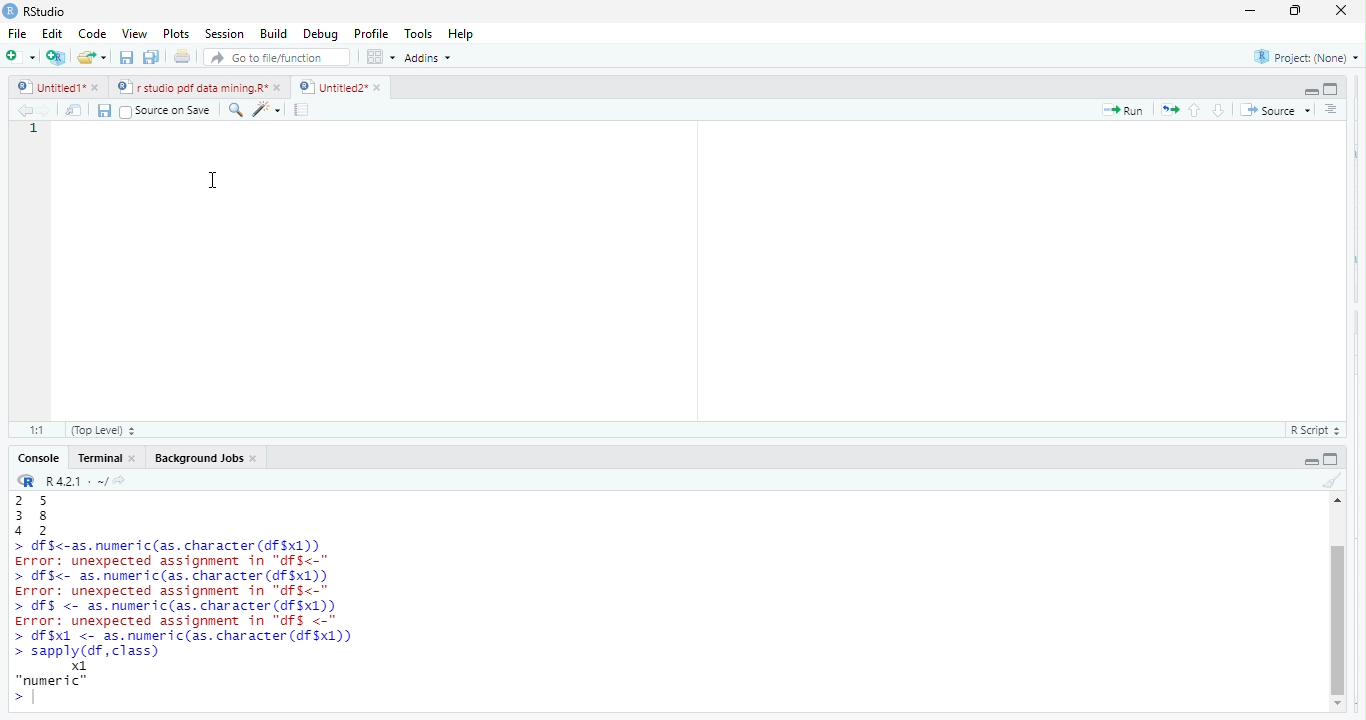  What do you see at coordinates (270, 110) in the screenshot?
I see `code tools` at bounding box center [270, 110].